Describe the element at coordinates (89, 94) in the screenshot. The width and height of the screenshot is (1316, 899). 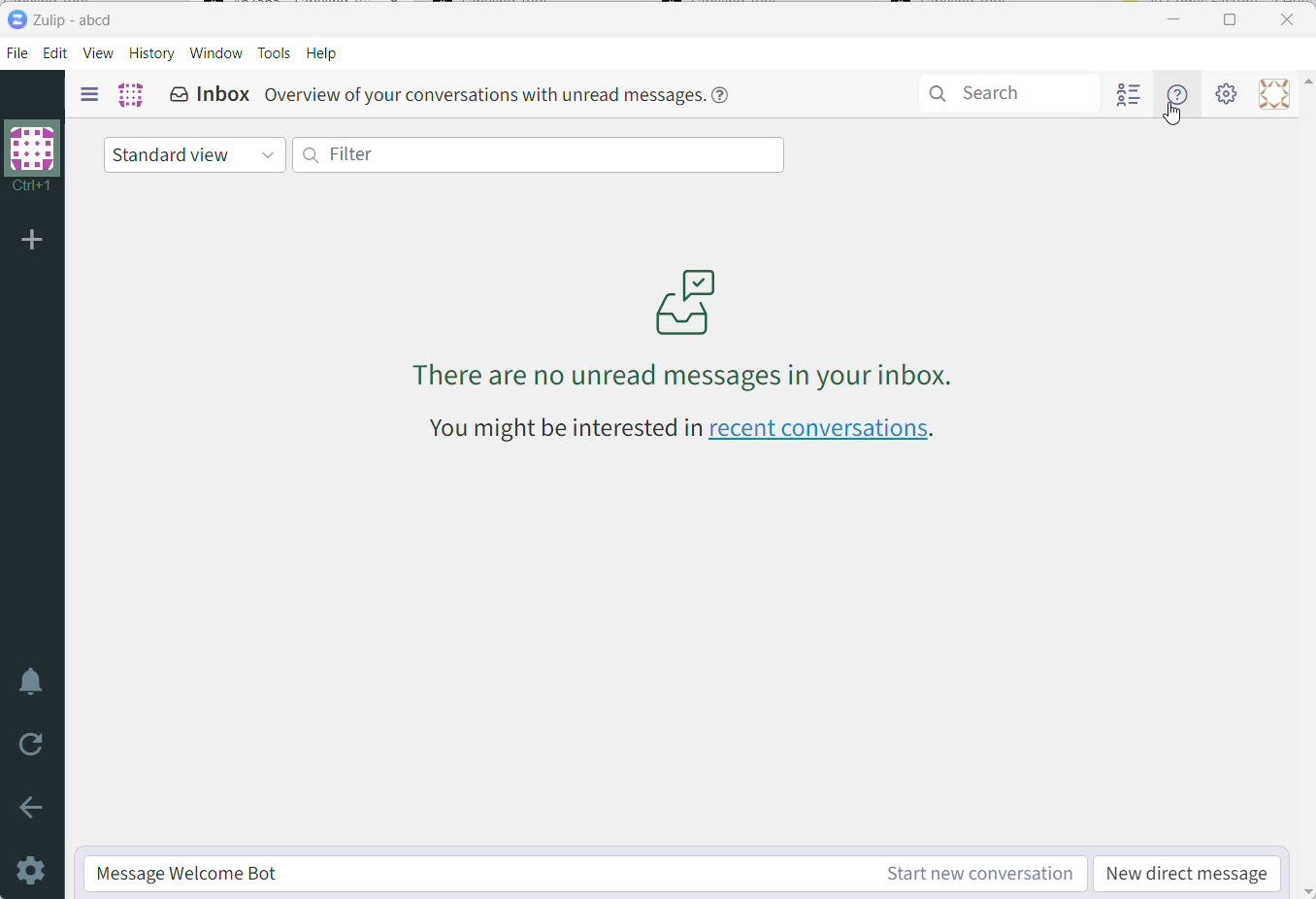
I see `Show/Hide left sidebar` at that location.